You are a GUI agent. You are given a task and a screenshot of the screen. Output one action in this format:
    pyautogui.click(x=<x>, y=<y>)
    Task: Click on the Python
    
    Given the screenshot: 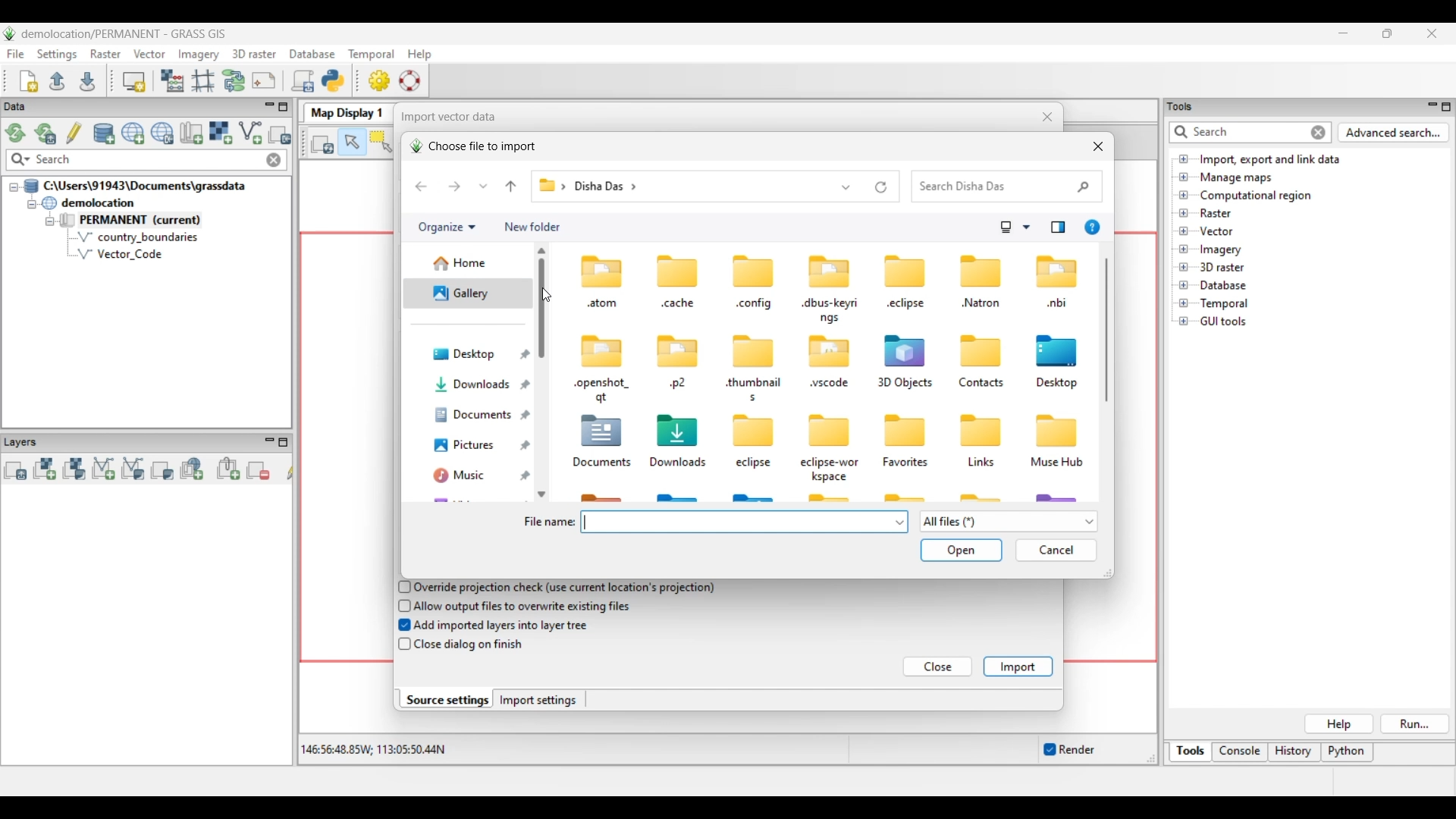 What is the action you would take?
    pyautogui.click(x=1348, y=753)
    